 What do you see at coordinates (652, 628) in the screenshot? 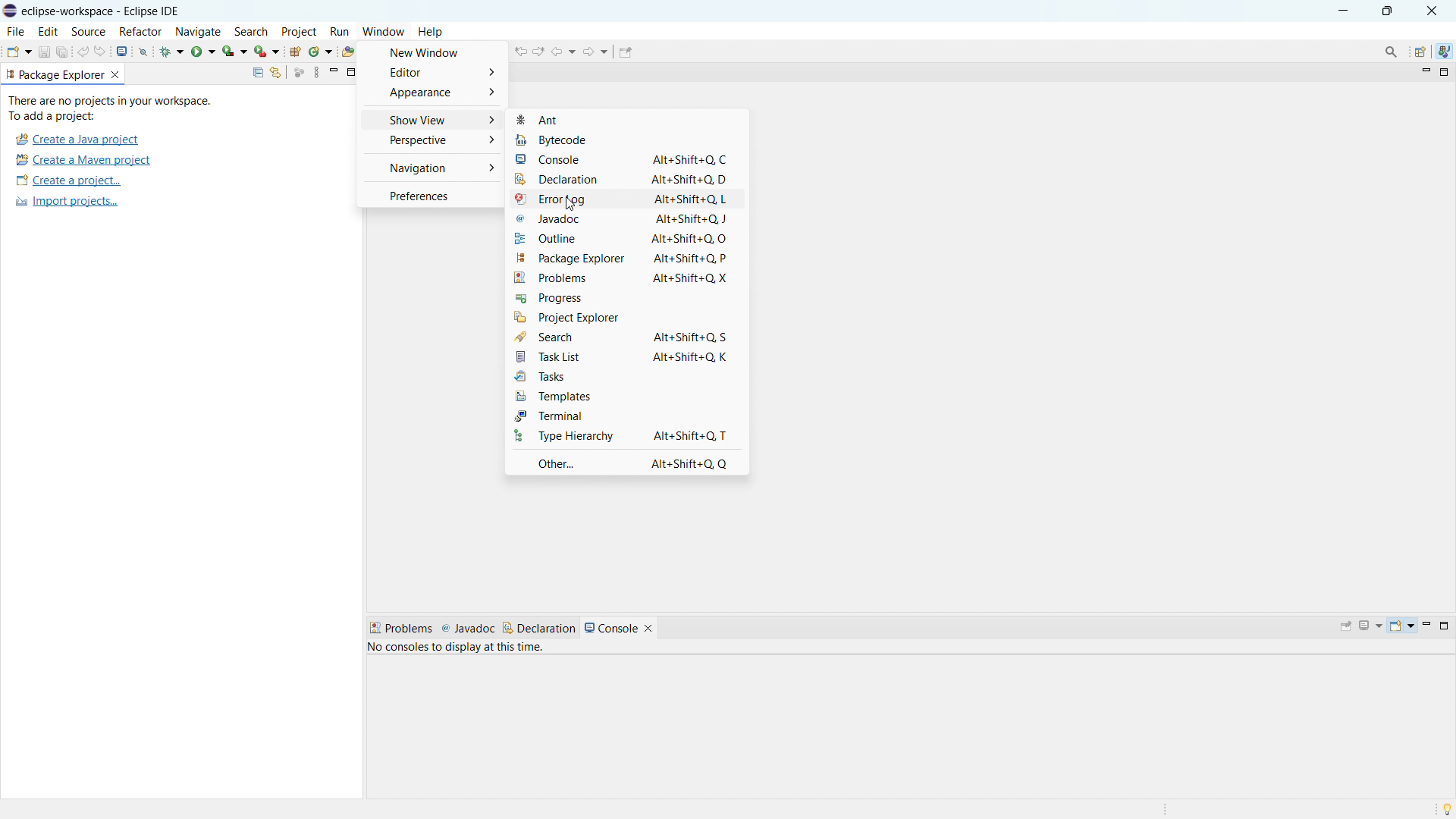
I see `close console` at bounding box center [652, 628].